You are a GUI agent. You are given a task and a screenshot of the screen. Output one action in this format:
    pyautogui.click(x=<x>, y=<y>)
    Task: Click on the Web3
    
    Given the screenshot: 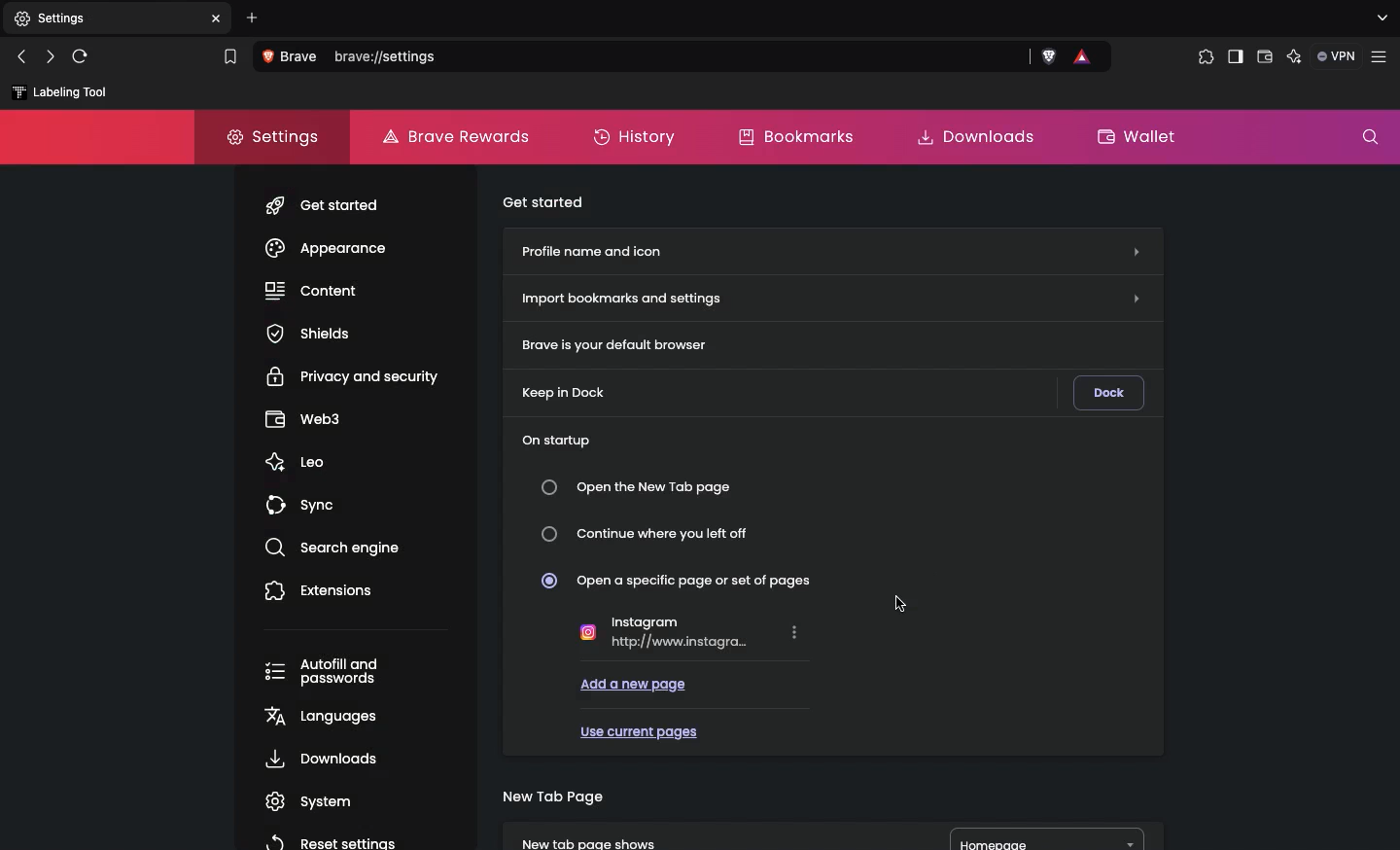 What is the action you would take?
    pyautogui.click(x=303, y=416)
    